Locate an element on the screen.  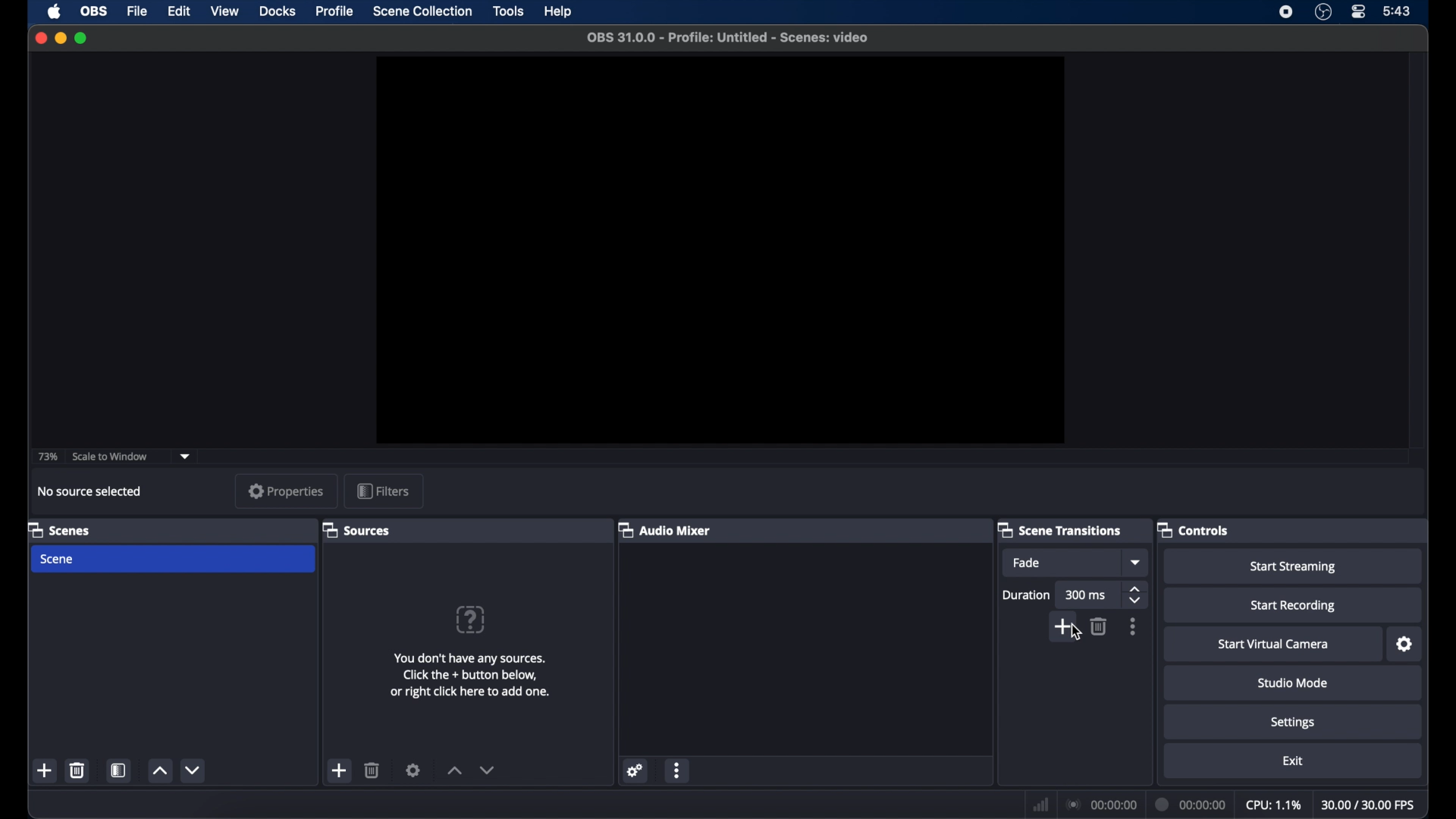
fade is located at coordinates (1027, 563).